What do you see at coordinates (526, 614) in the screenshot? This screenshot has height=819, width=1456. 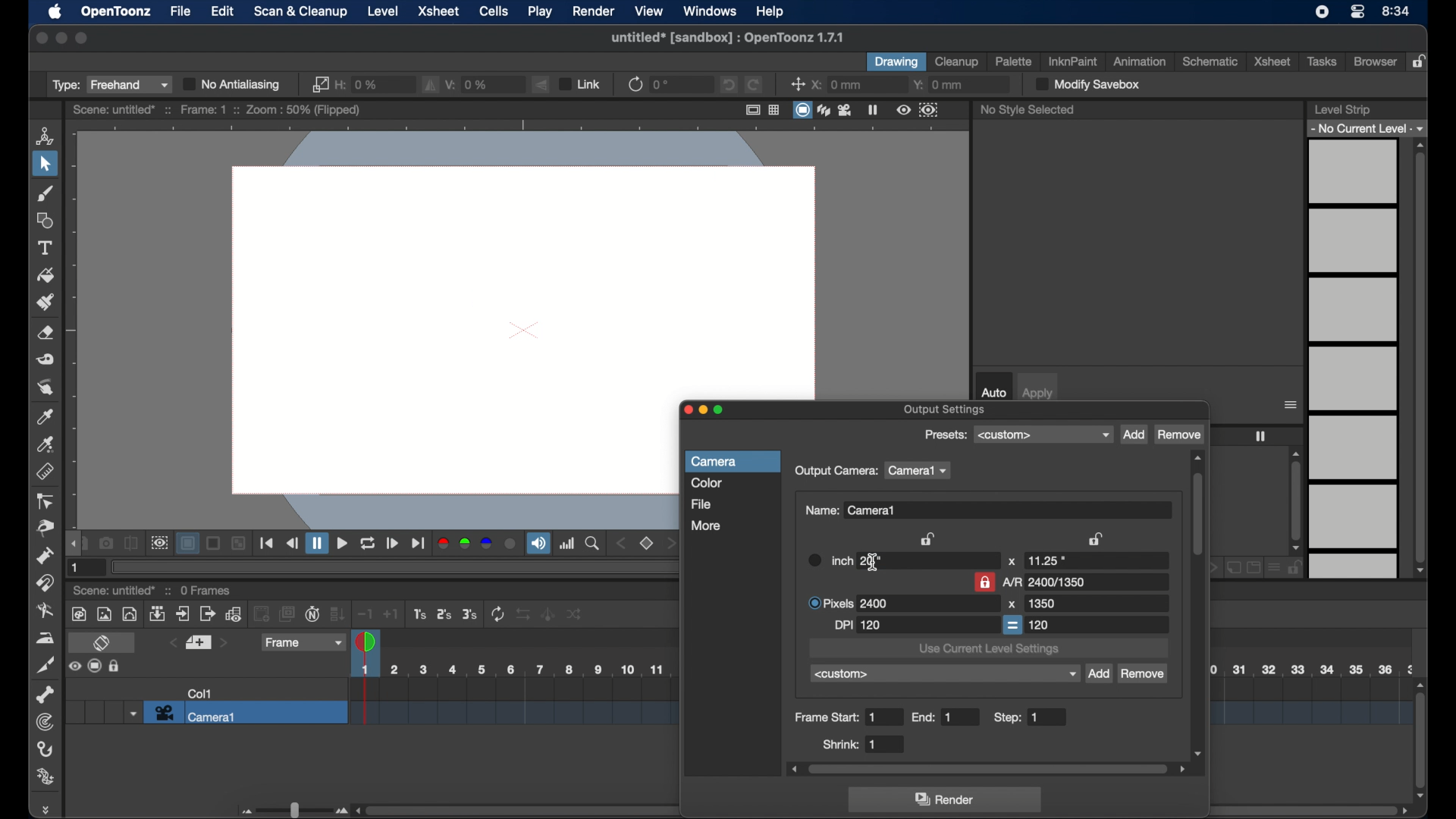 I see `` at bounding box center [526, 614].